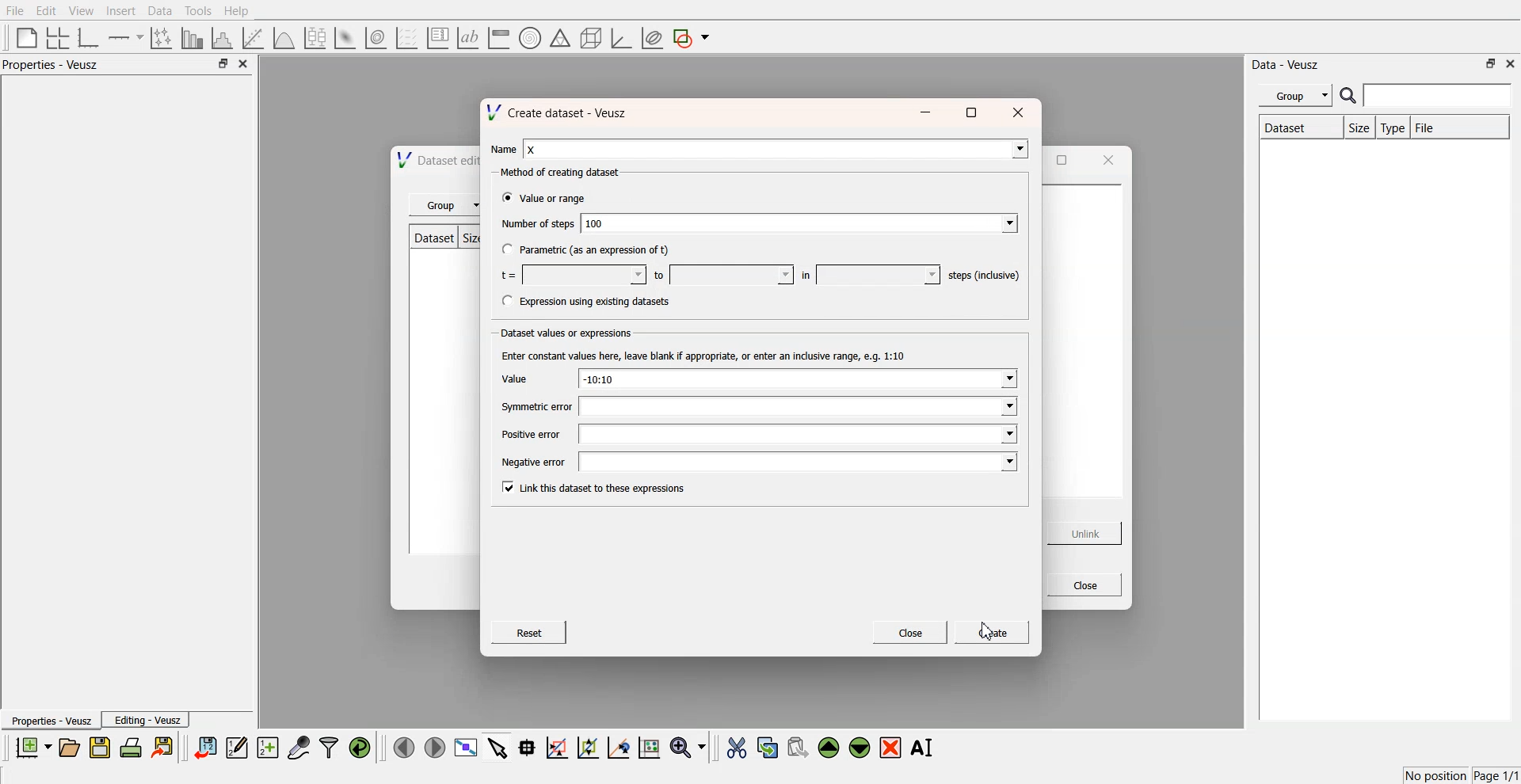  Describe the element at coordinates (160, 37) in the screenshot. I see `plot points with non-orthogonal axes` at that location.